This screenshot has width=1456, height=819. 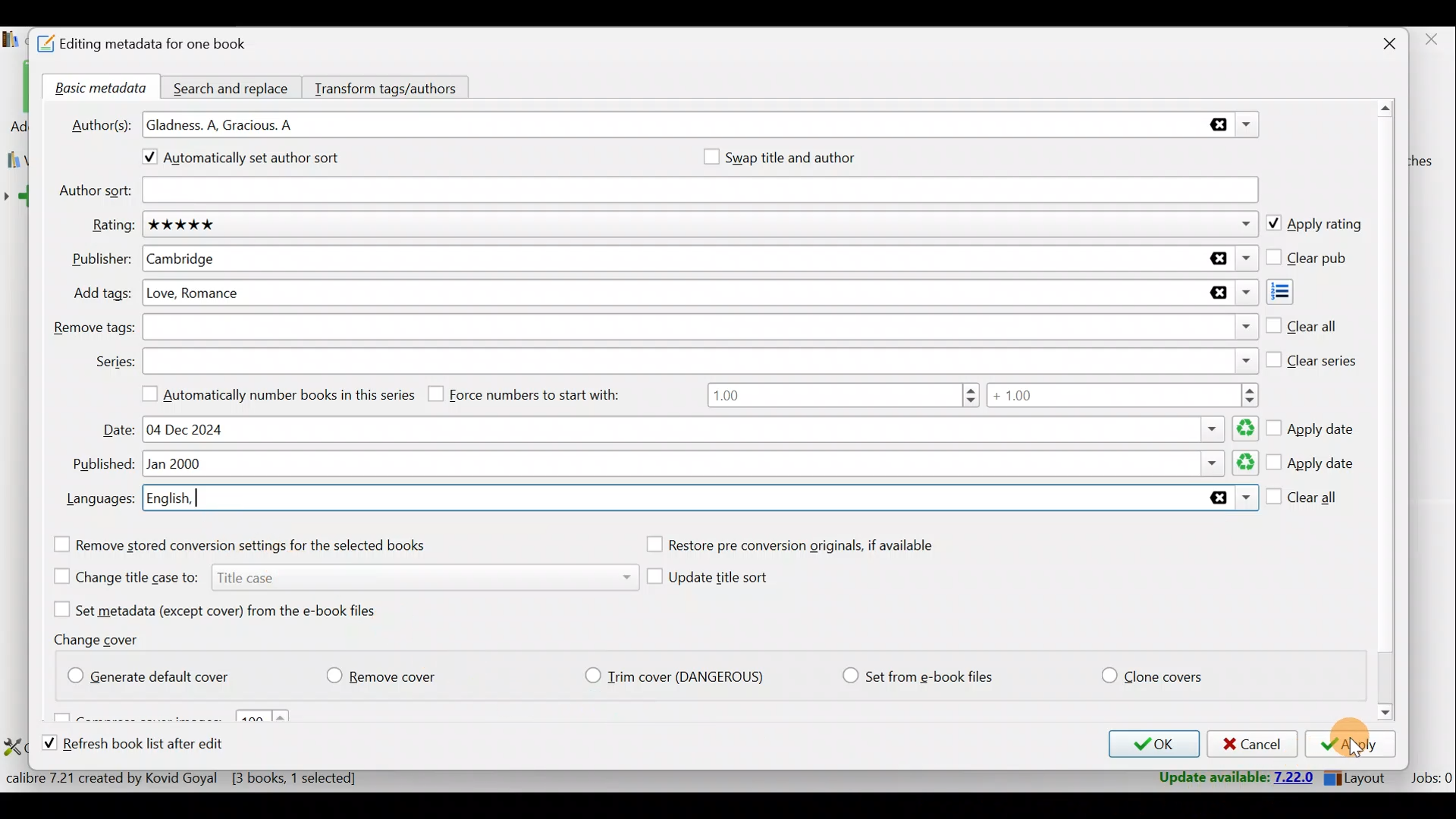 What do you see at coordinates (1358, 775) in the screenshot?
I see `Layout` at bounding box center [1358, 775].